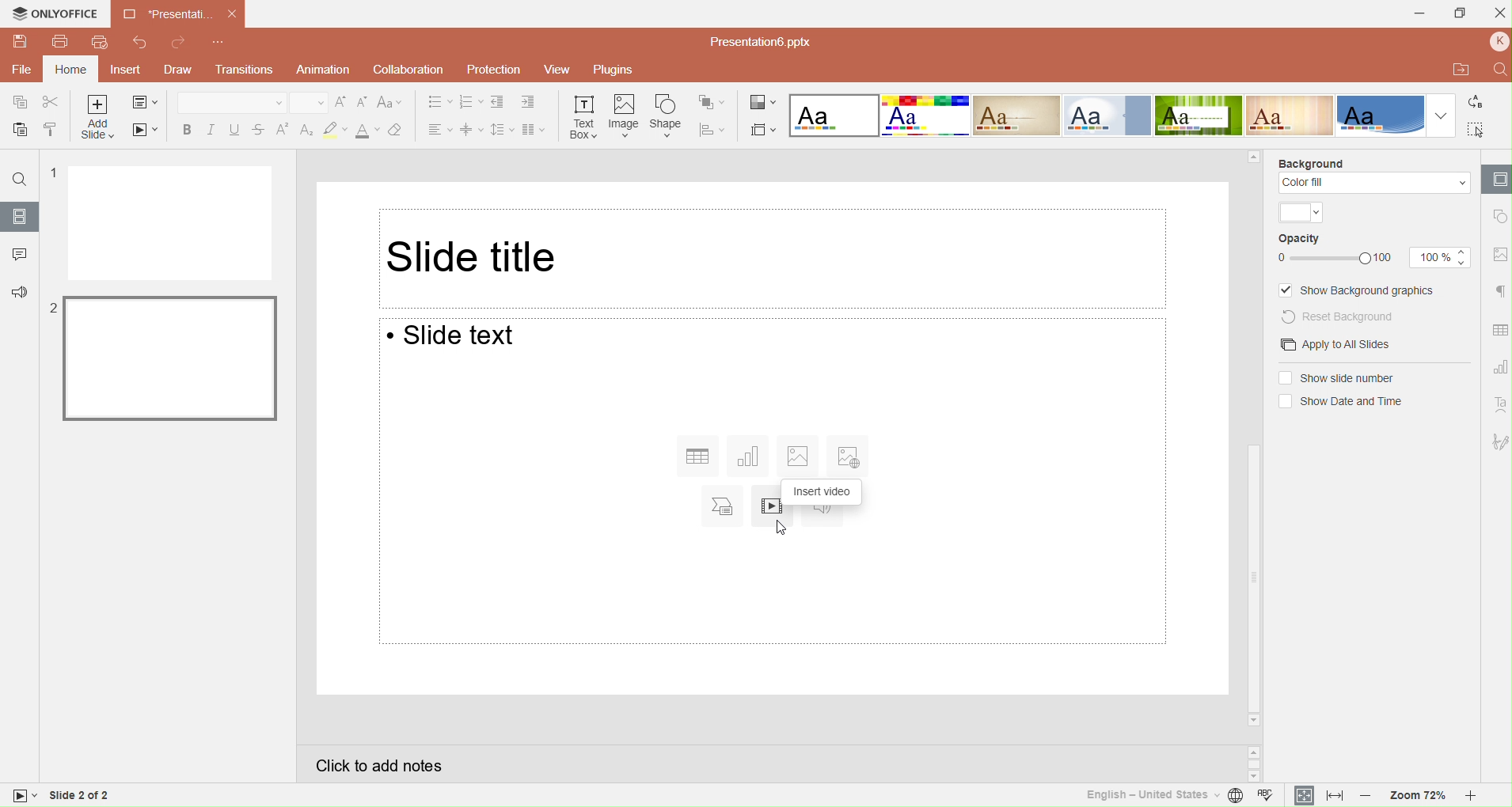 The height and width of the screenshot is (807, 1512). I want to click on Vertical align, so click(471, 130).